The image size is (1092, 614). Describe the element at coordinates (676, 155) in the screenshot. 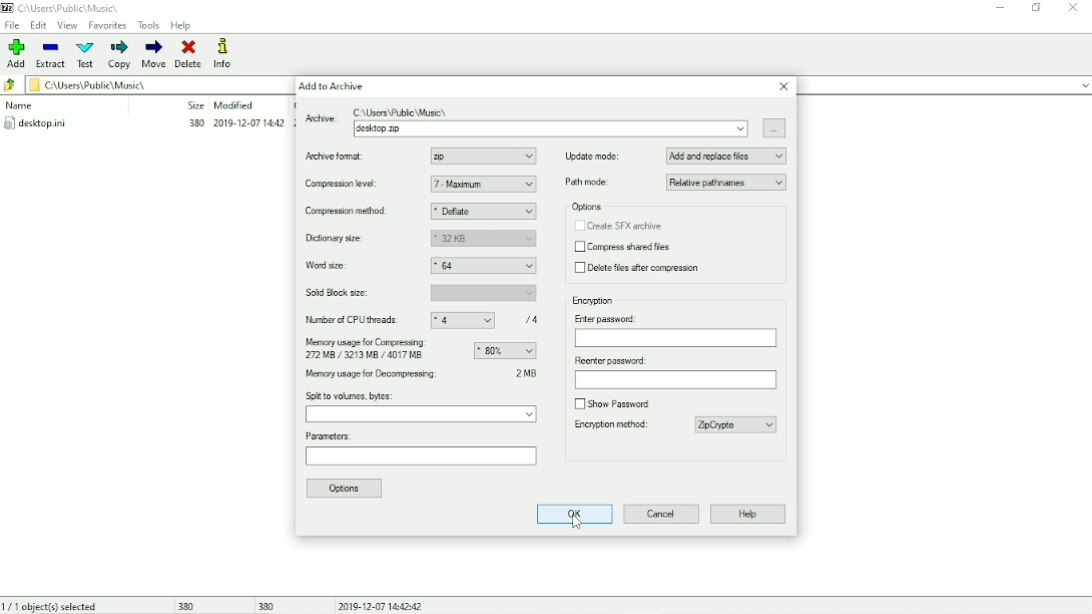

I see `Update mode` at that location.